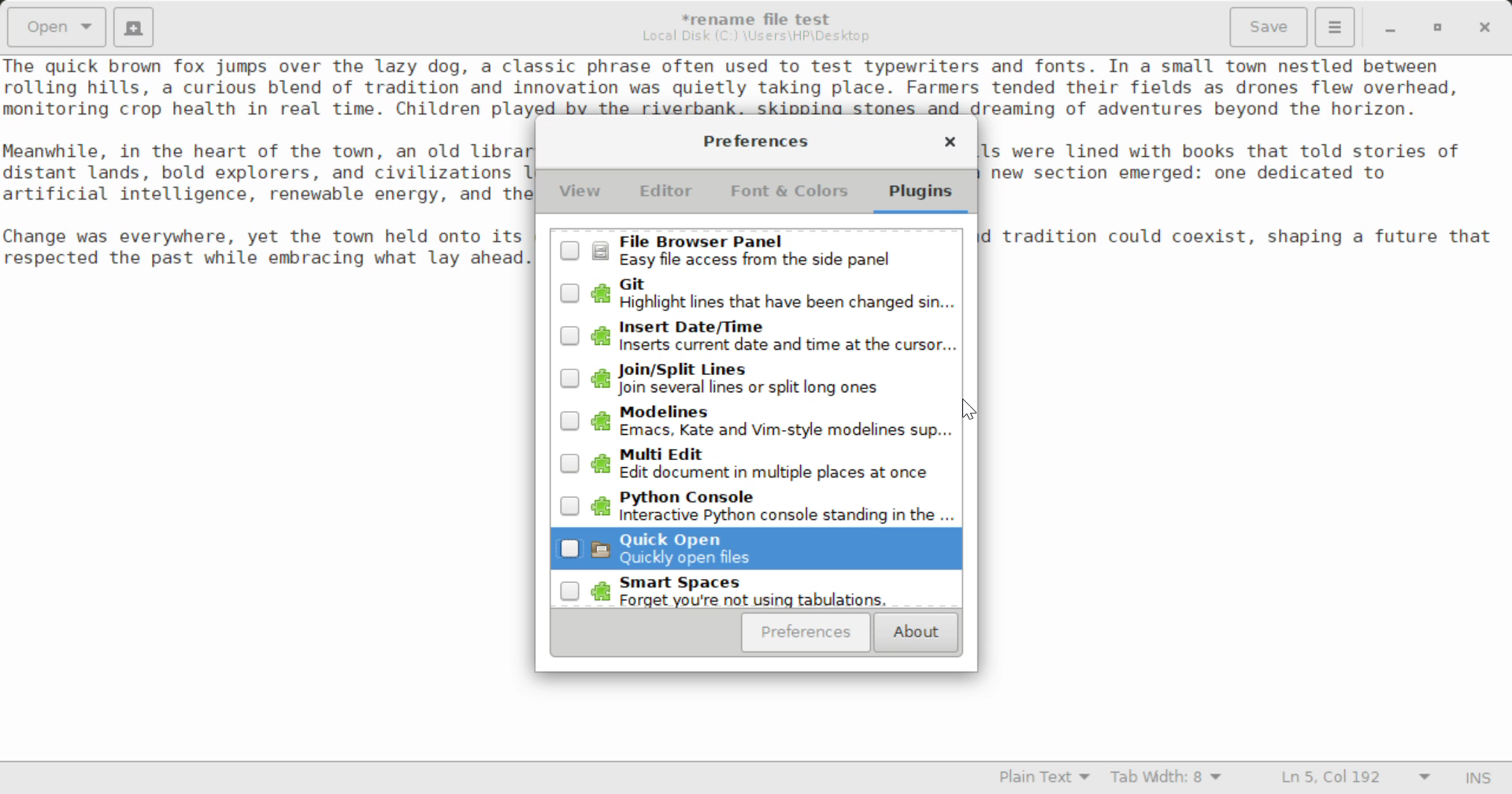 The height and width of the screenshot is (794, 1512). I want to click on Open Document, so click(57, 25).